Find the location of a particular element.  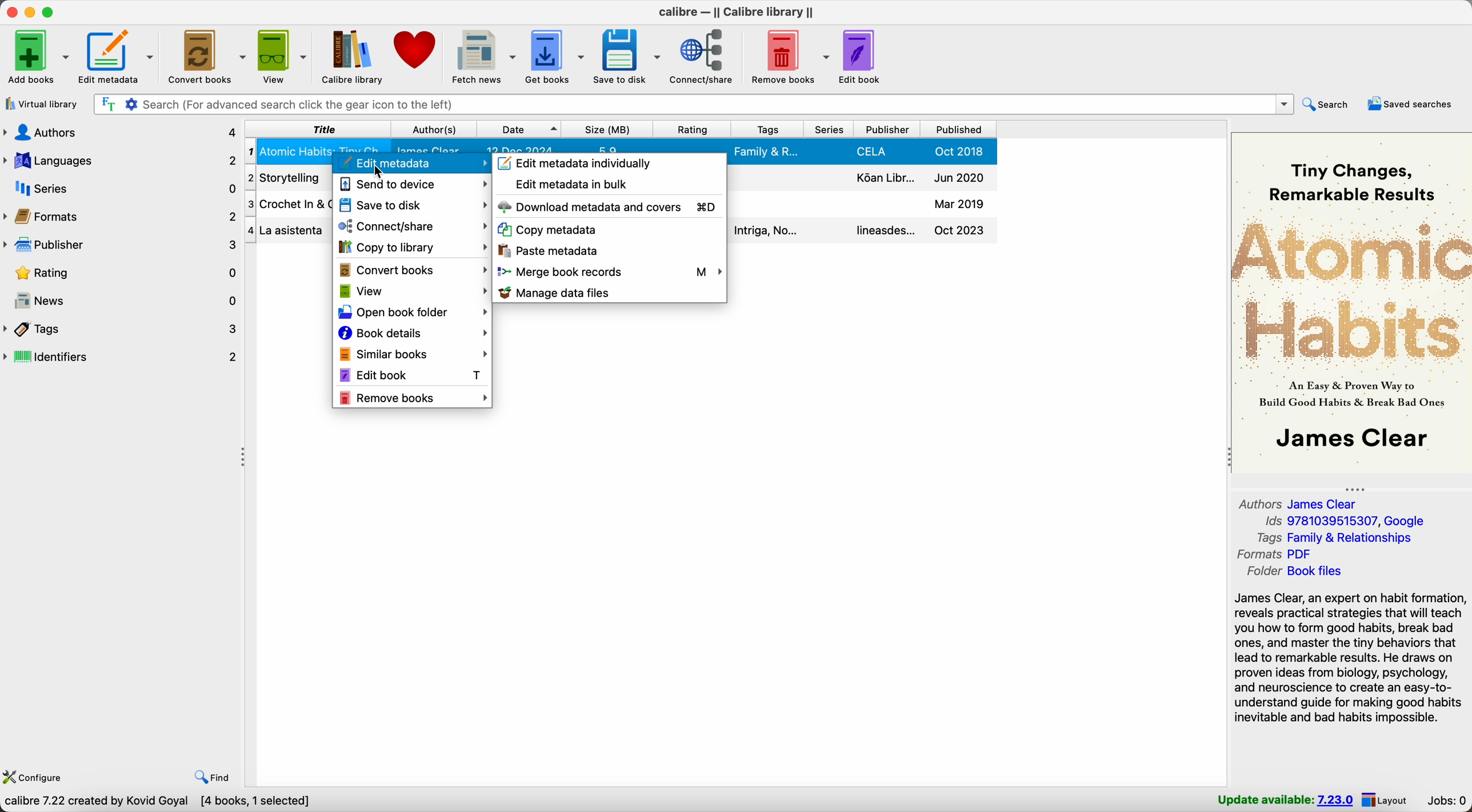

find is located at coordinates (209, 776).